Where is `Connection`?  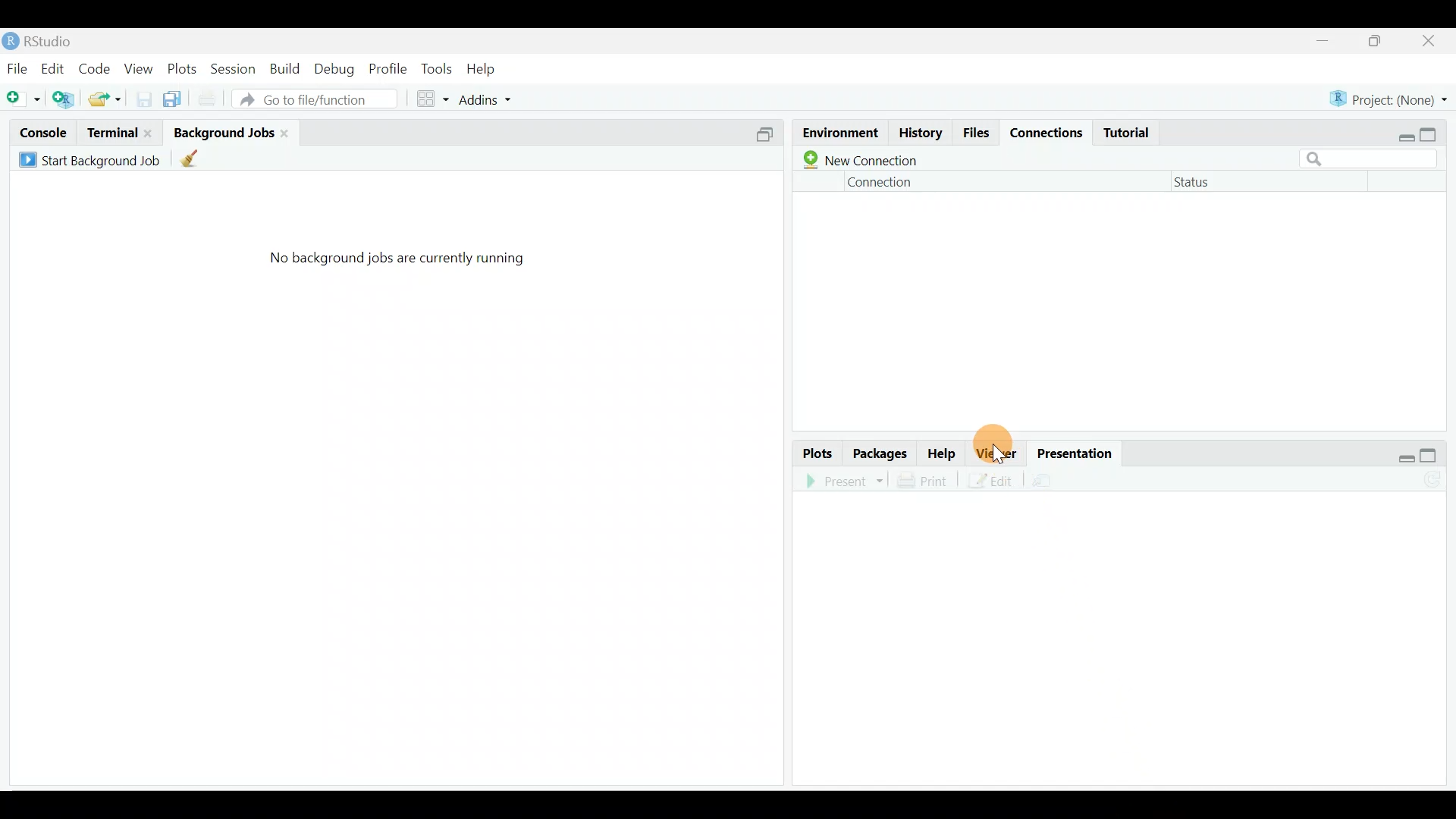 Connection is located at coordinates (882, 182).